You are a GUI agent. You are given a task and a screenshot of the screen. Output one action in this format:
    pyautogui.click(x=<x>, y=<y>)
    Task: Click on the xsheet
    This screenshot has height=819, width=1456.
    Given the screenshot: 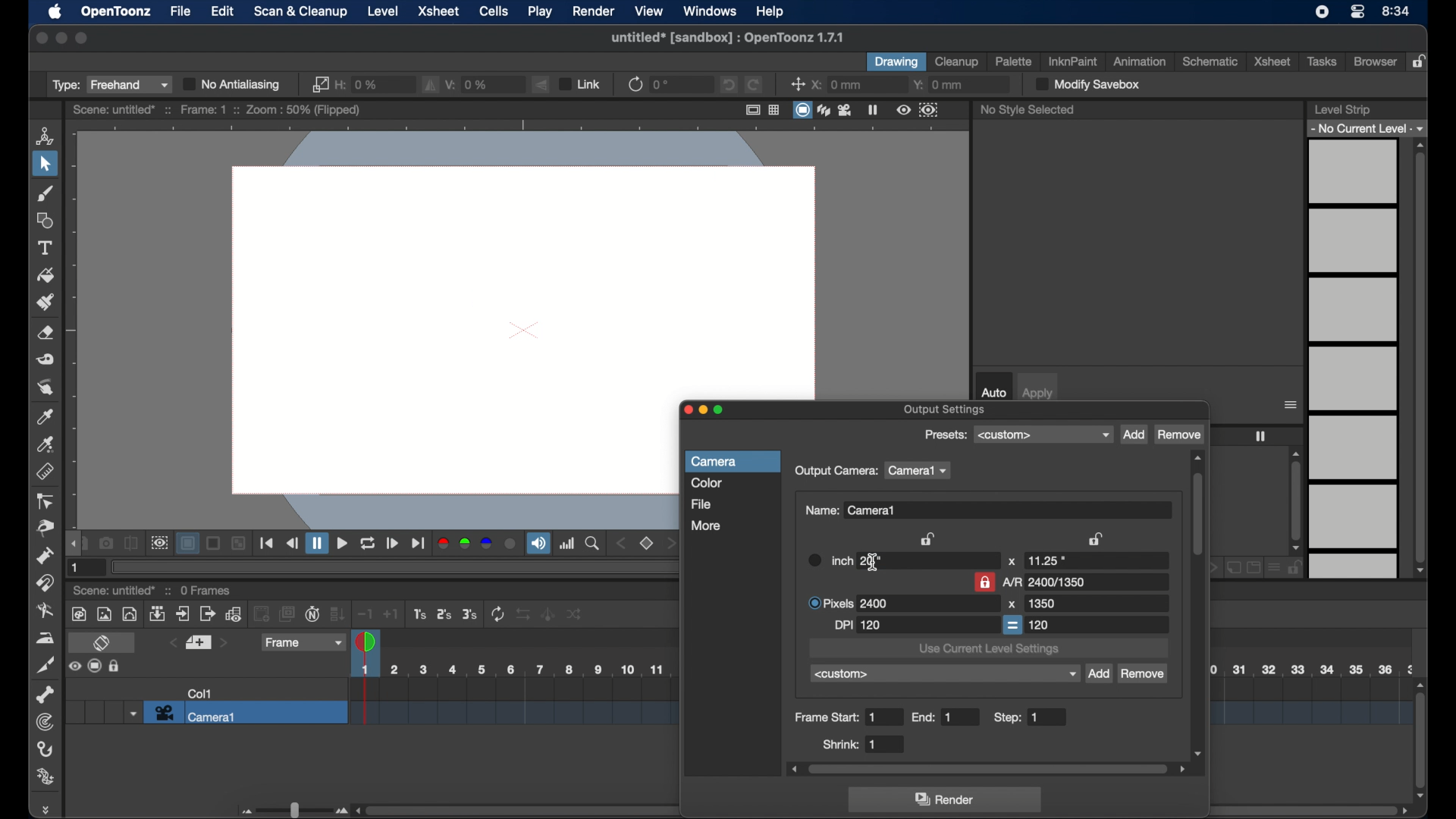 What is the action you would take?
    pyautogui.click(x=1272, y=61)
    